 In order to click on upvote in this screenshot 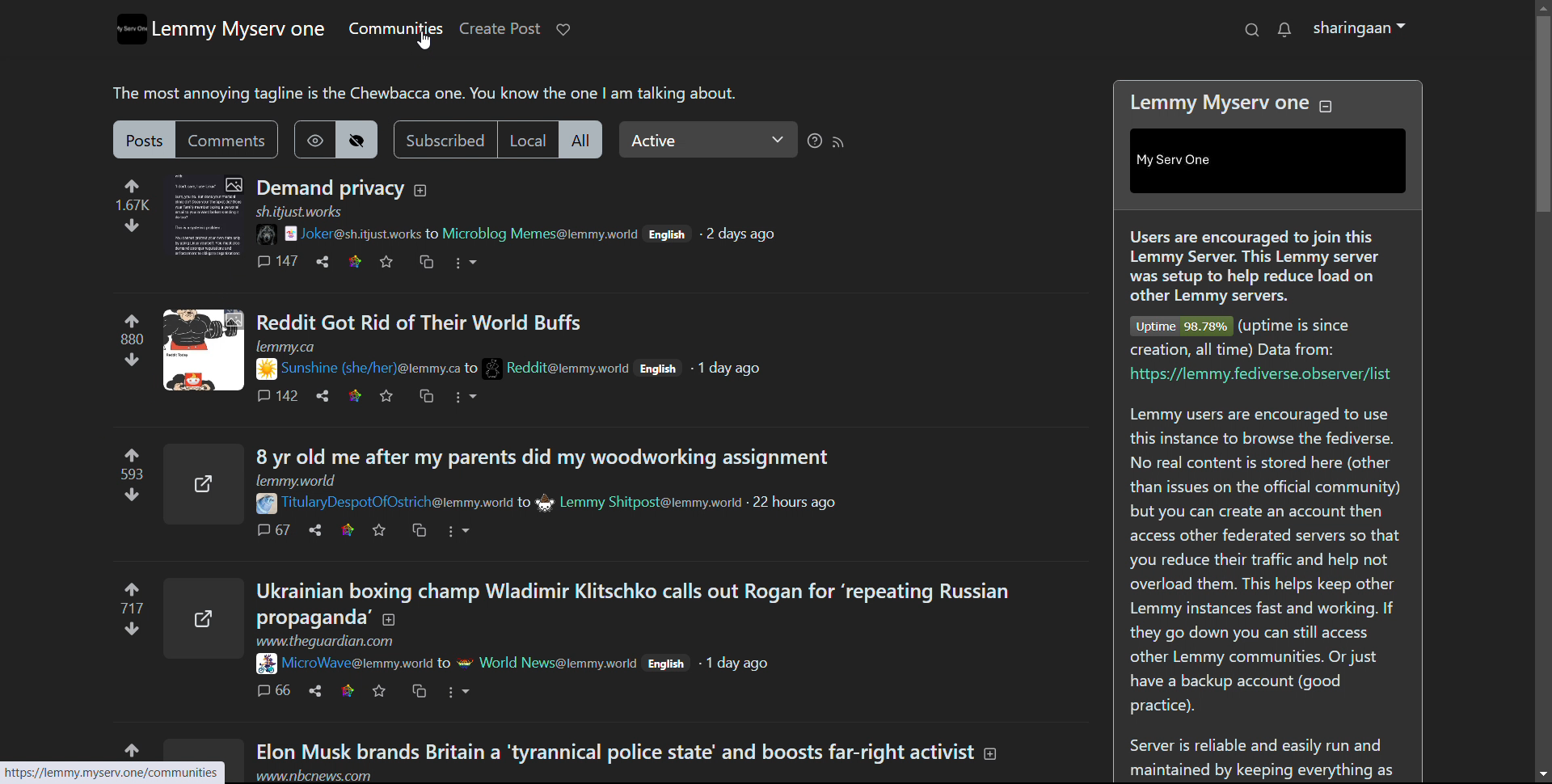, I will do `click(136, 453)`.